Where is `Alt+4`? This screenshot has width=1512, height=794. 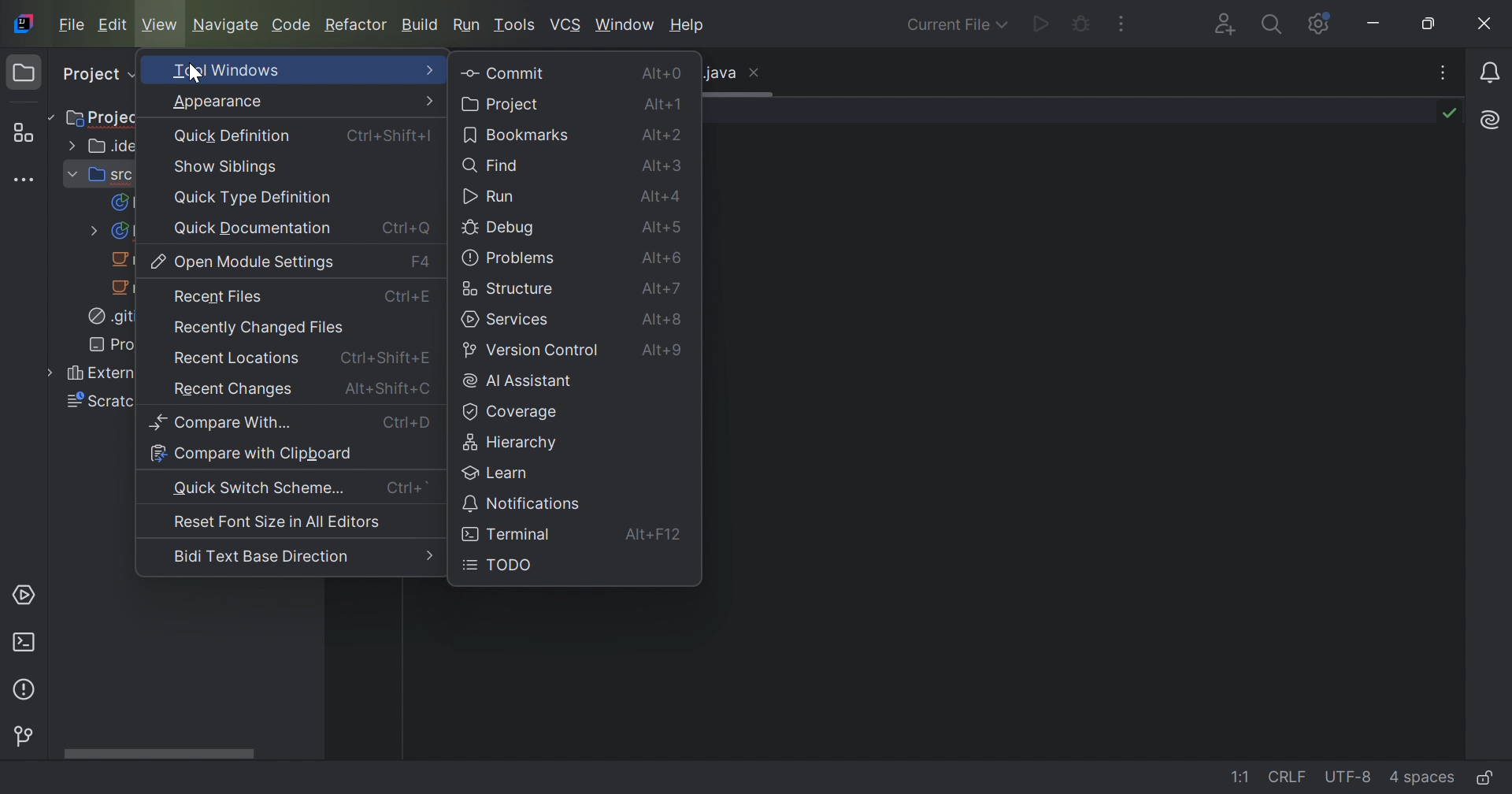 Alt+4 is located at coordinates (665, 198).